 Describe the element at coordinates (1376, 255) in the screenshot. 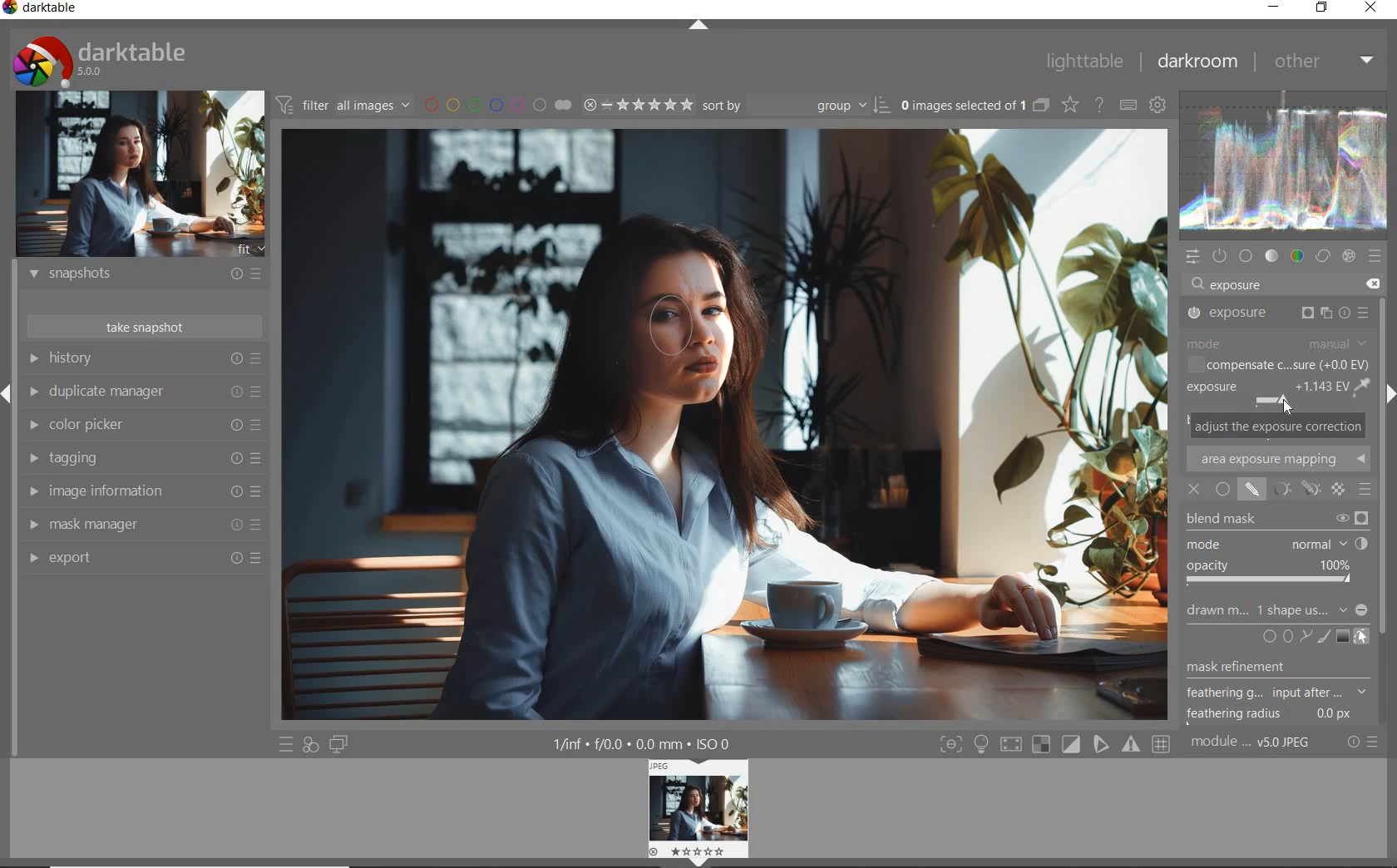

I see `presets` at that location.